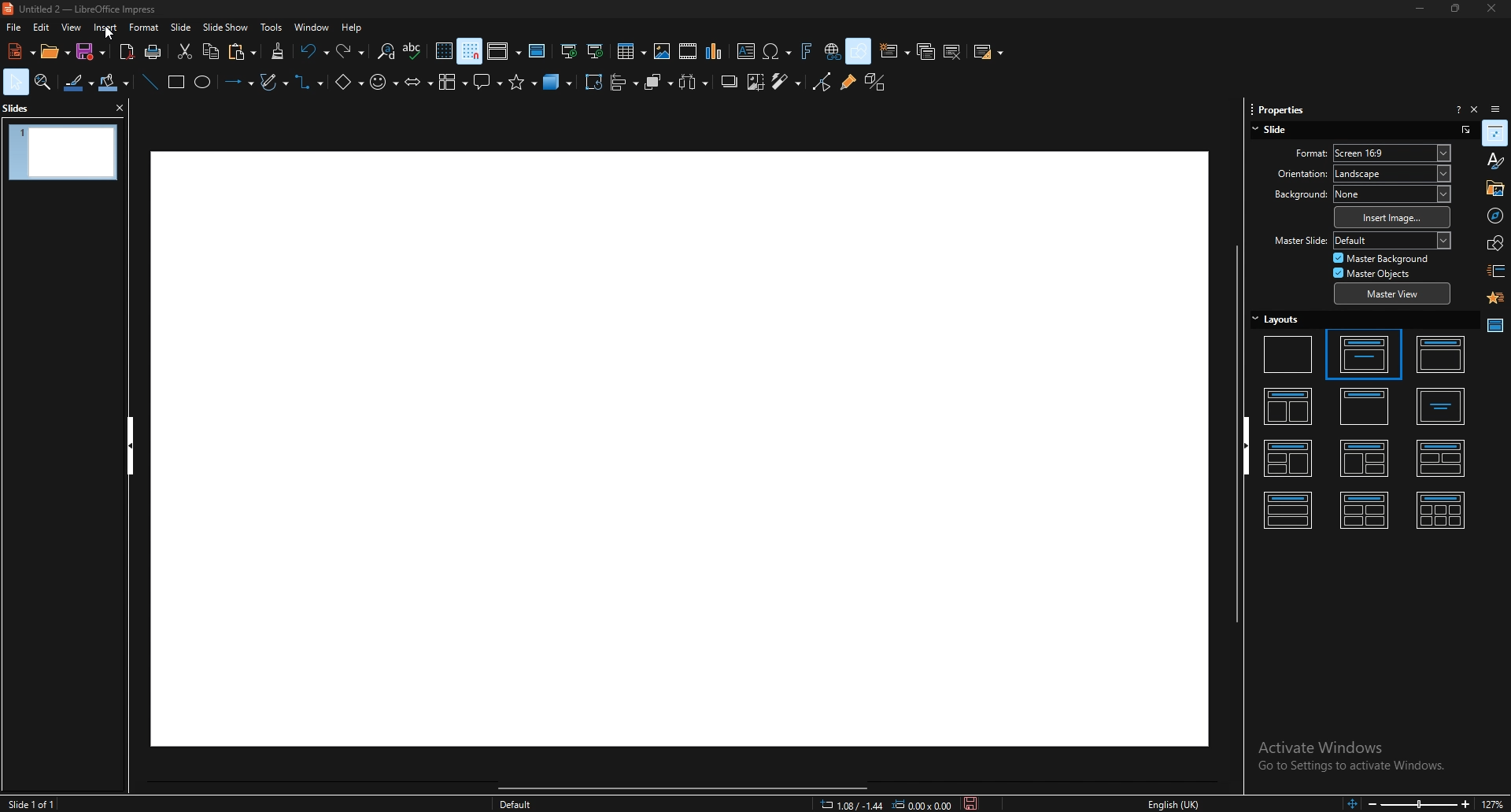 The width and height of the screenshot is (1511, 812). I want to click on layouts, so click(1276, 319).